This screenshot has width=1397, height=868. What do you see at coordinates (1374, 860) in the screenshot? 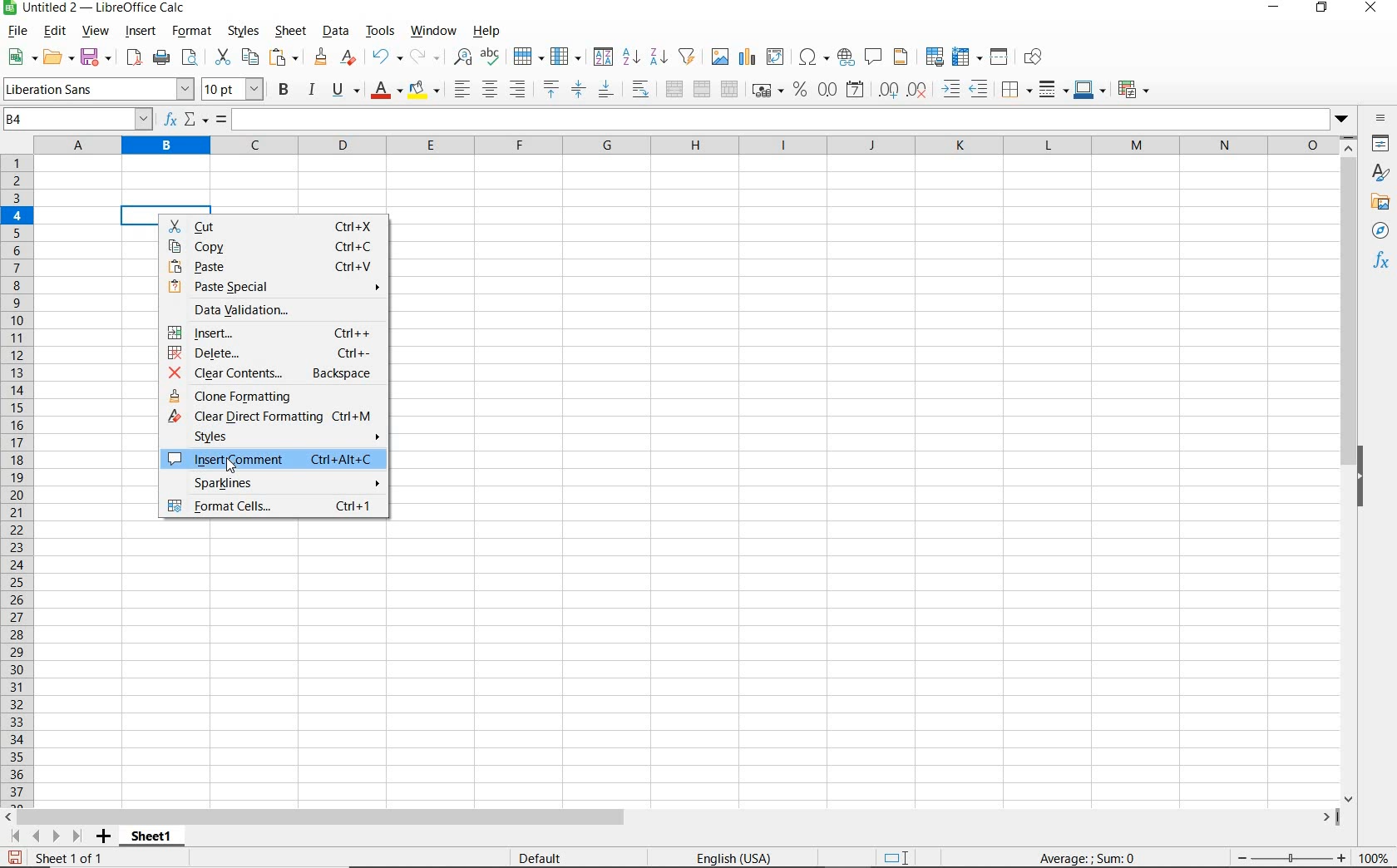
I see `zoom factor` at bounding box center [1374, 860].